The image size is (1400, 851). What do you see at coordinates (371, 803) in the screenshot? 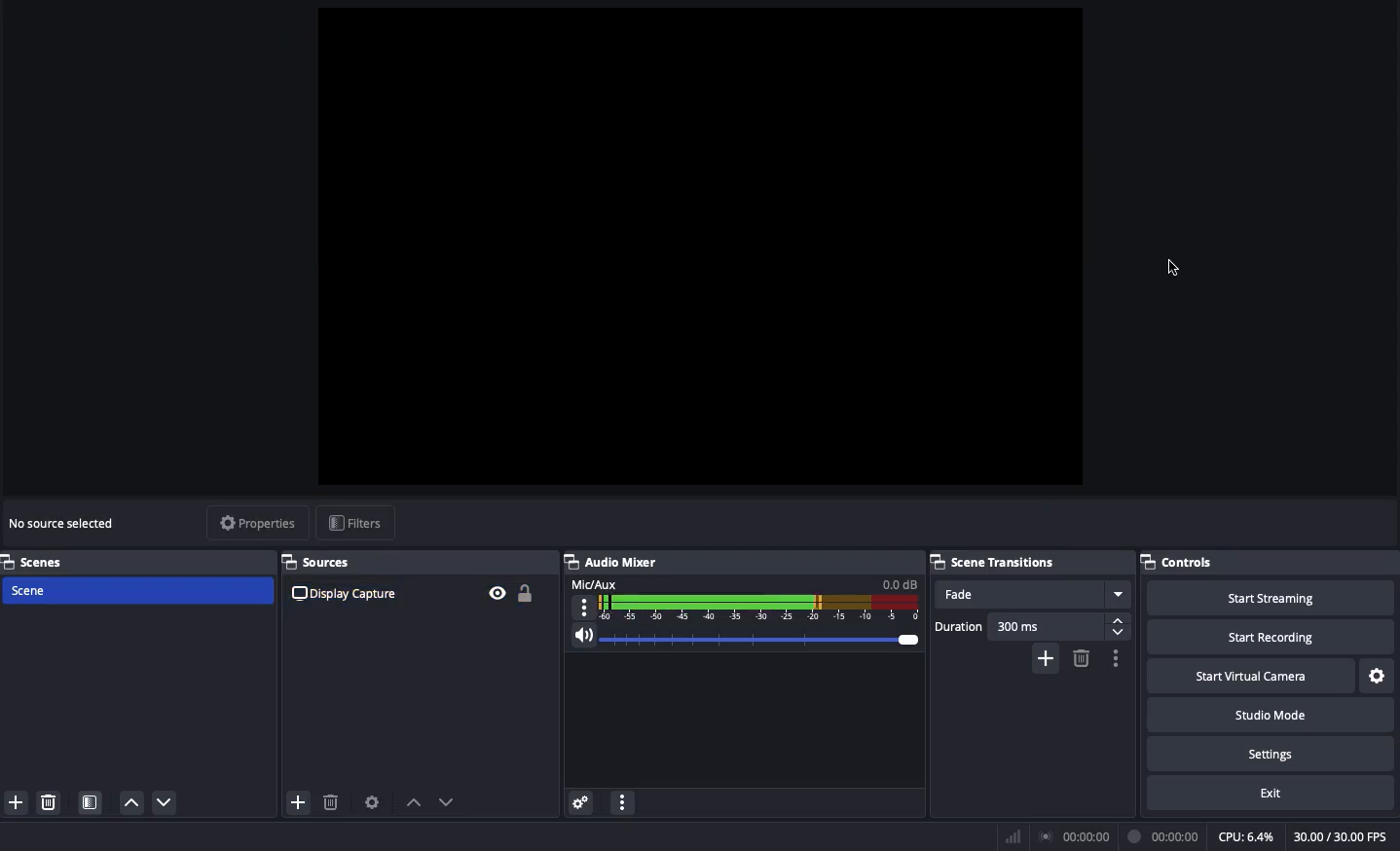
I see `Source properties` at bounding box center [371, 803].